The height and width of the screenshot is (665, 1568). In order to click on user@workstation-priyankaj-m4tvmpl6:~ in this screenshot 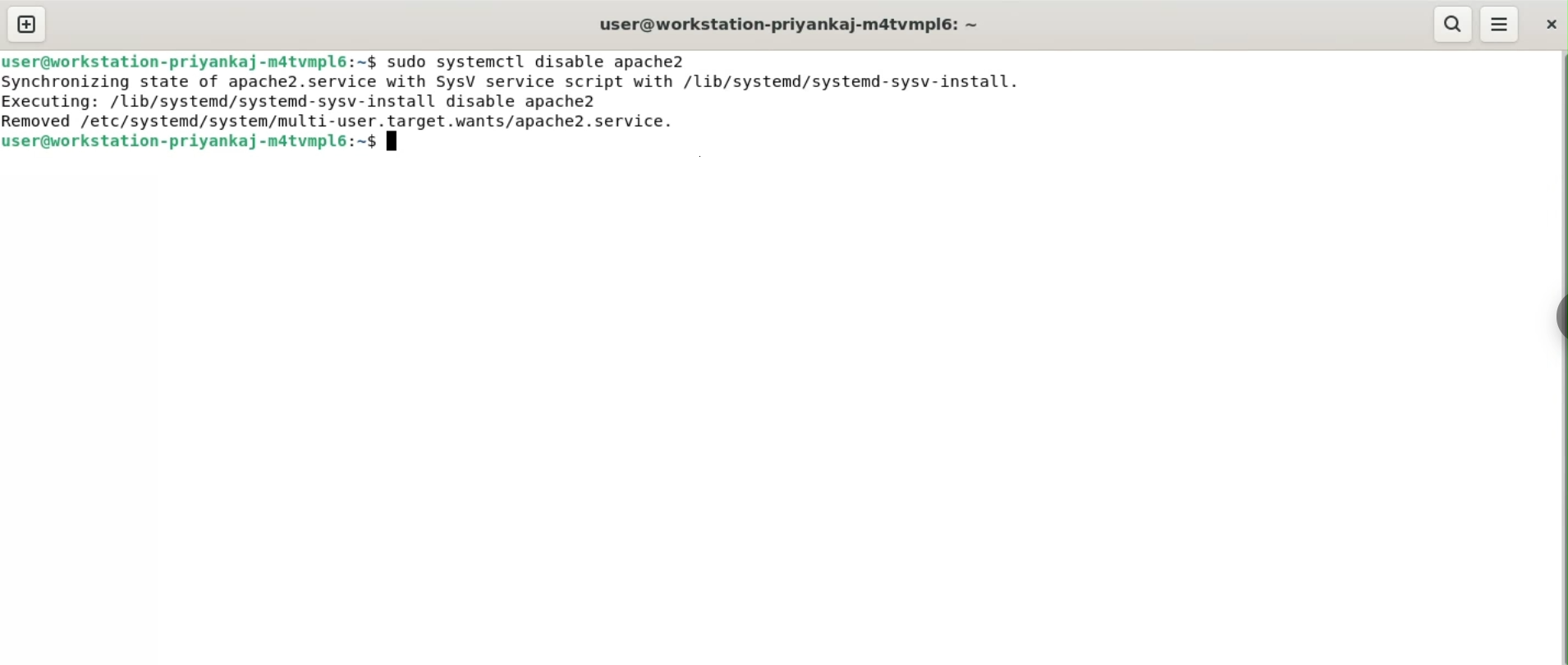, I will do `click(791, 25)`.